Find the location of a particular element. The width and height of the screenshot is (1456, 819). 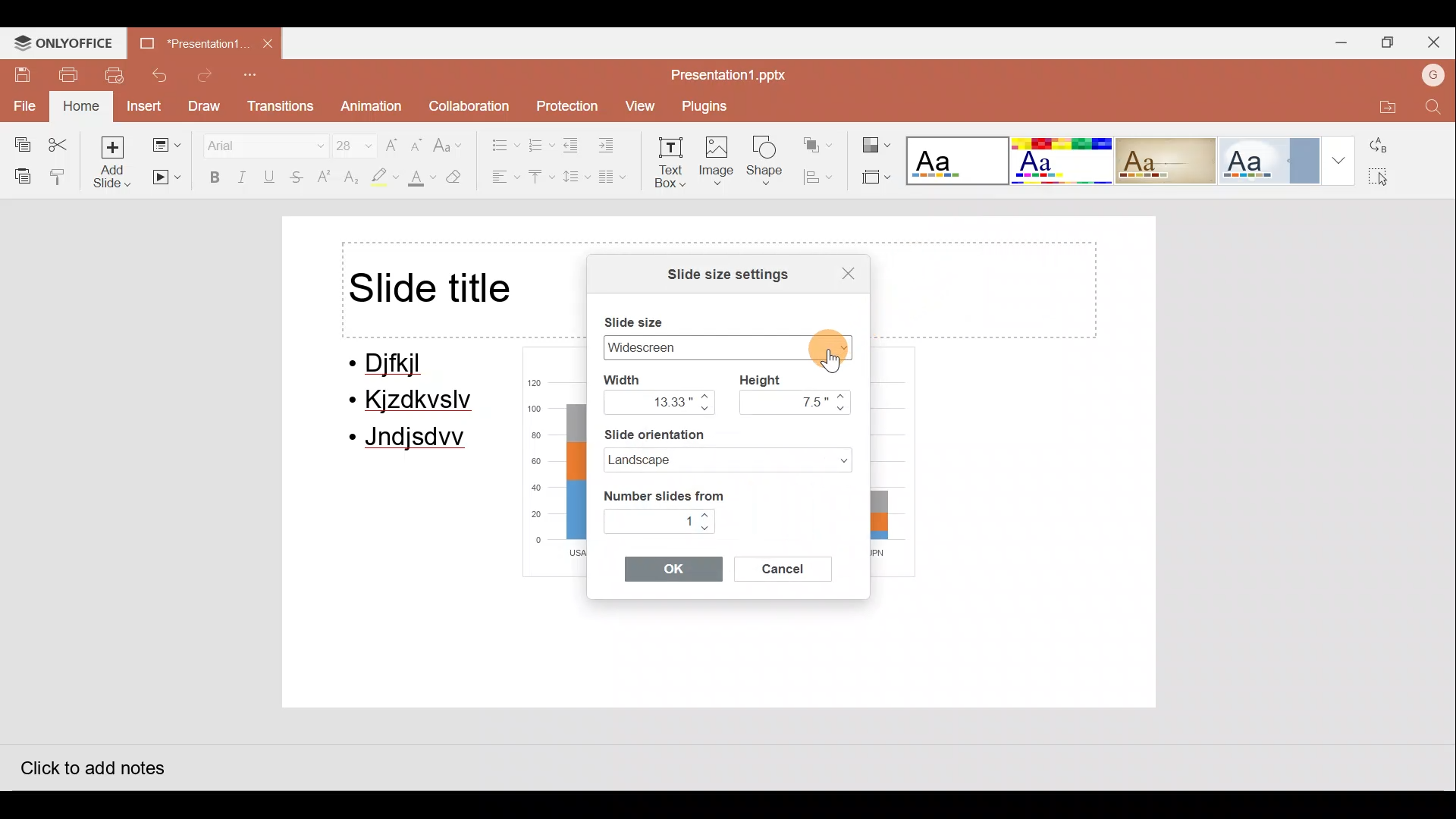

Vertical align is located at coordinates (540, 178).